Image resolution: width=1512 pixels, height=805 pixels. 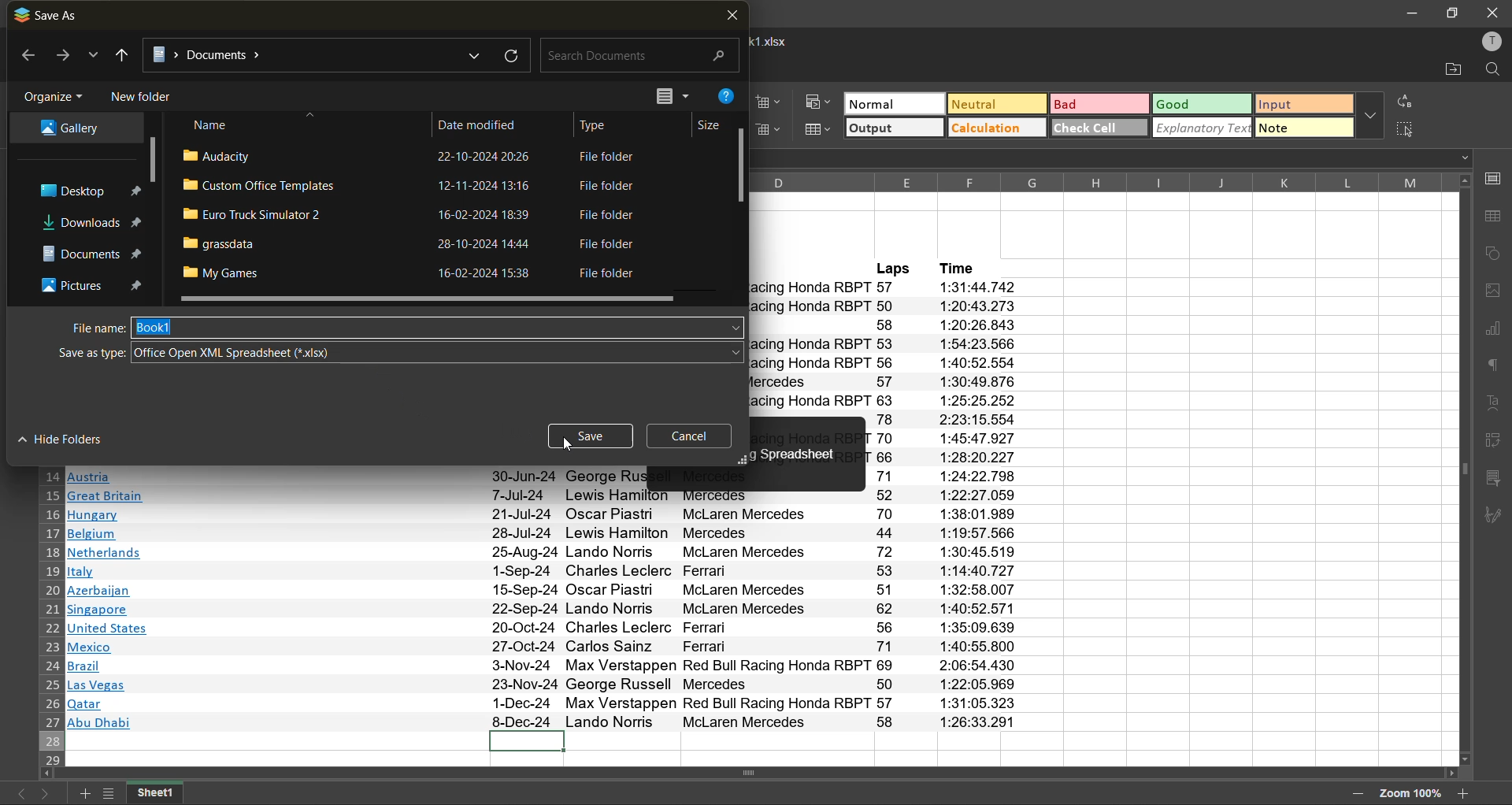 I want to click on size, so click(x=708, y=126).